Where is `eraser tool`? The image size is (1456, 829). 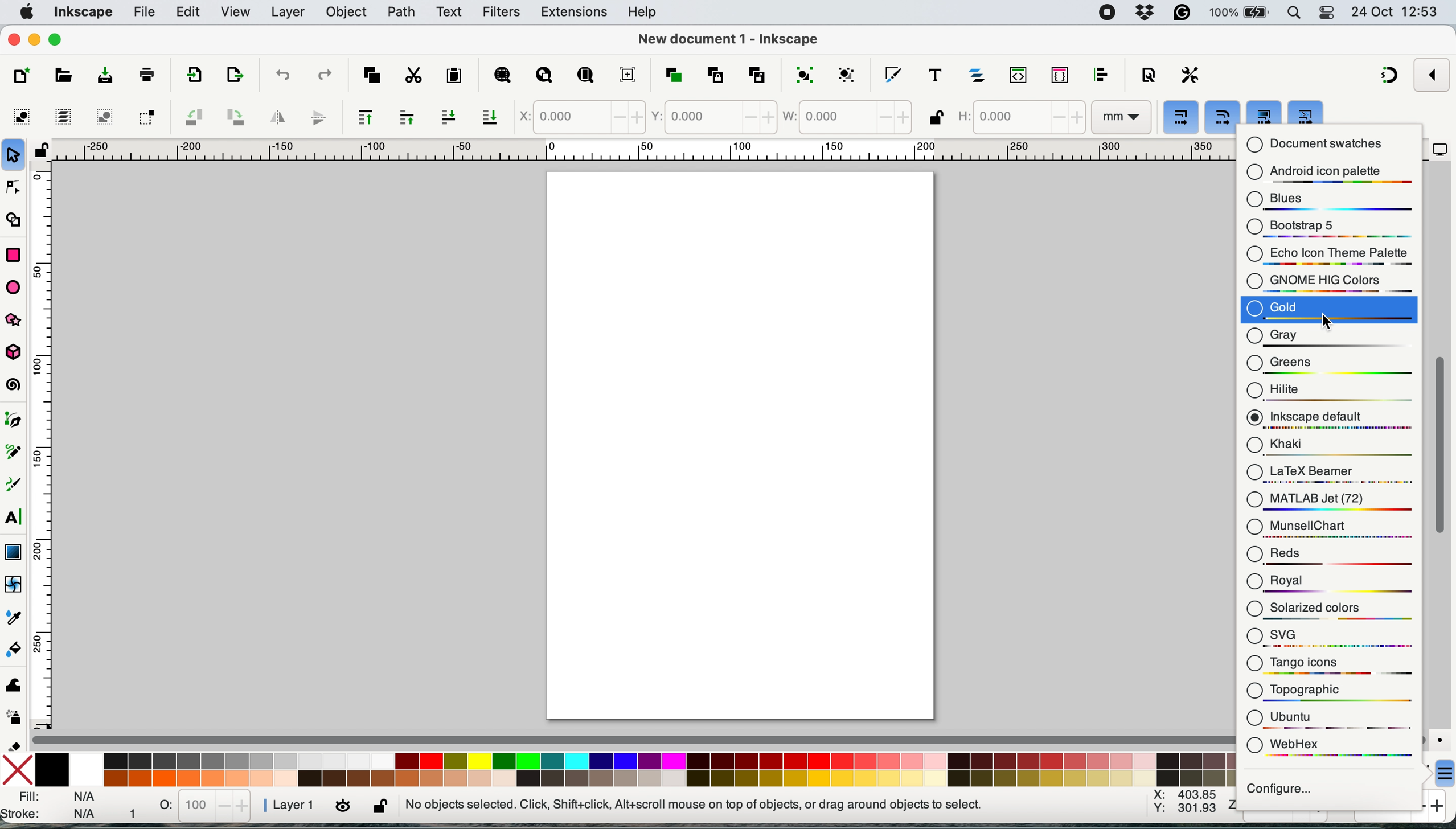 eraser tool is located at coordinates (15, 742).